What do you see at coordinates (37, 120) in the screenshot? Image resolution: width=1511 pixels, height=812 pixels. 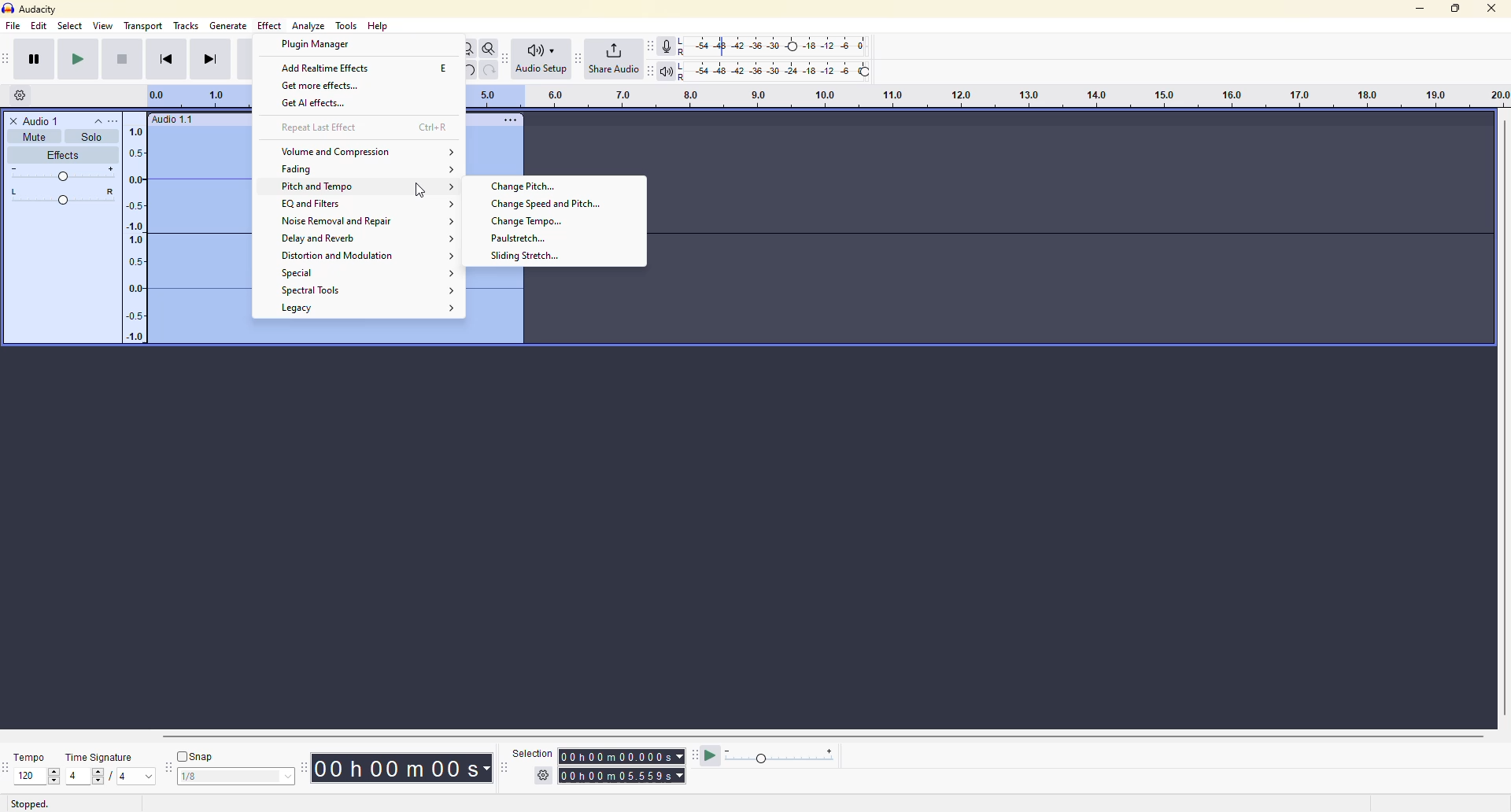 I see `audio 1` at bounding box center [37, 120].